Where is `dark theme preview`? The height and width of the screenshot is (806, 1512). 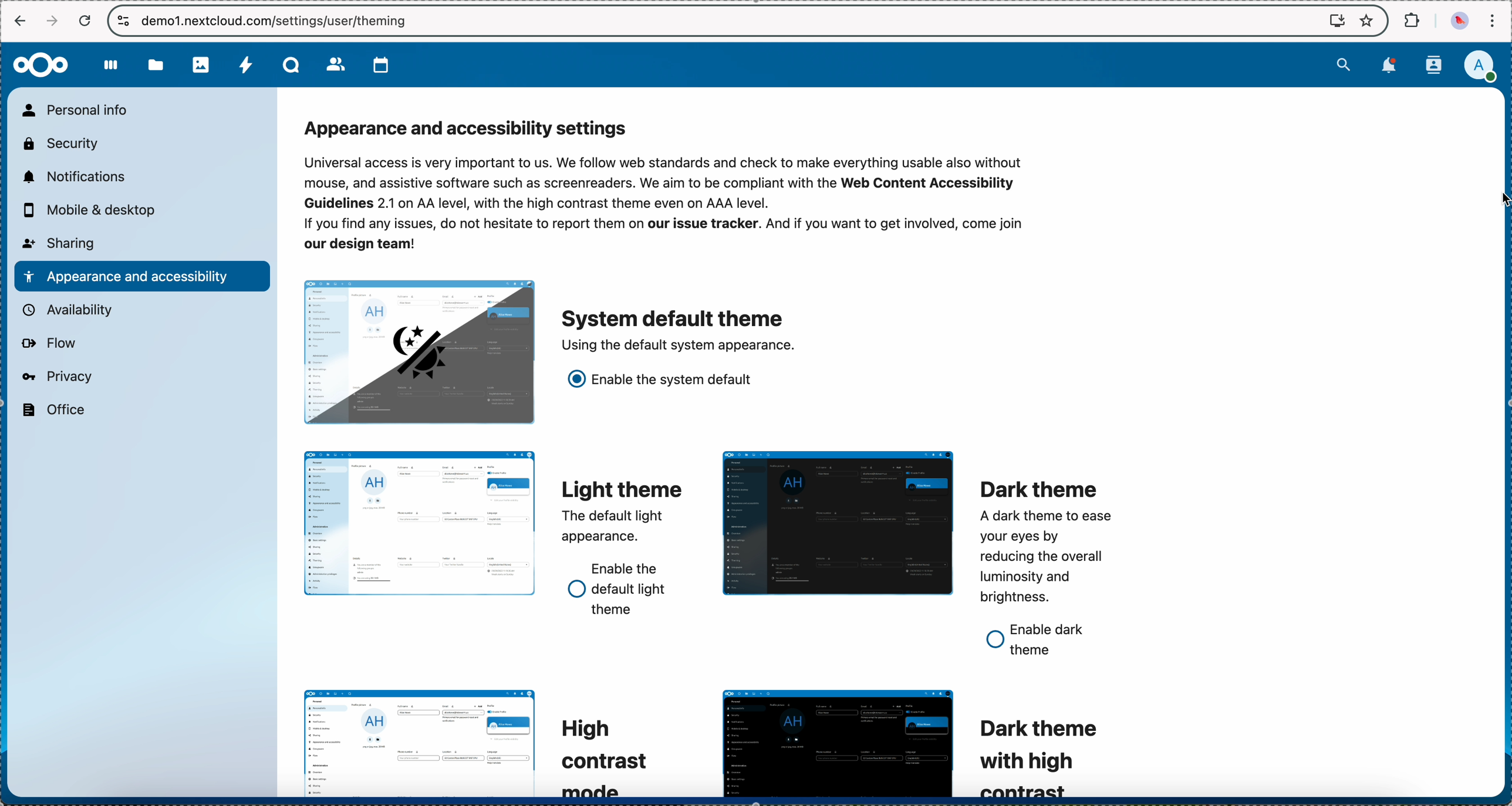 dark theme preview is located at coordinates (835, 523).